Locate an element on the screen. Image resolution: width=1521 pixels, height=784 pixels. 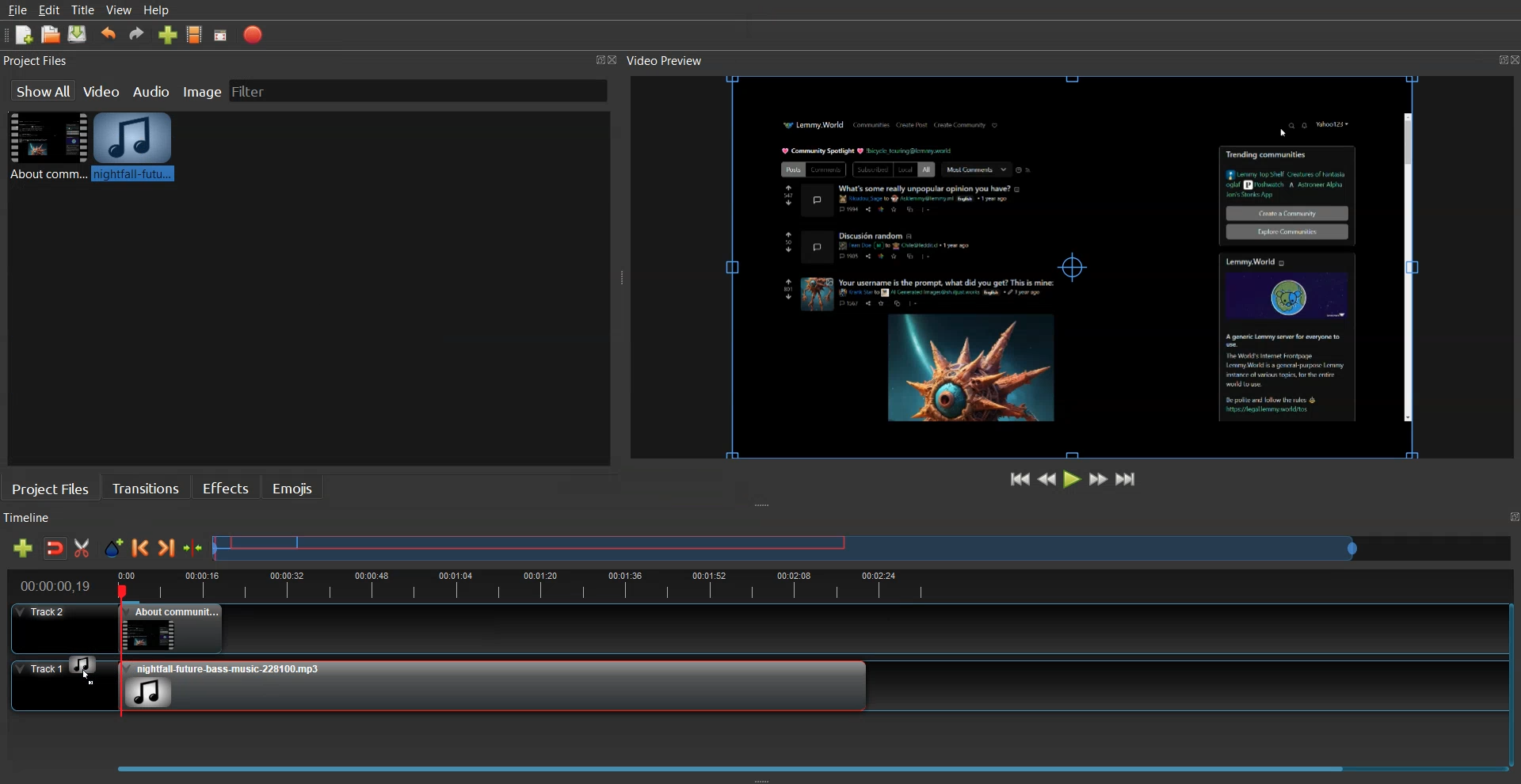
Next Marker is located at coordinates (167, 547).